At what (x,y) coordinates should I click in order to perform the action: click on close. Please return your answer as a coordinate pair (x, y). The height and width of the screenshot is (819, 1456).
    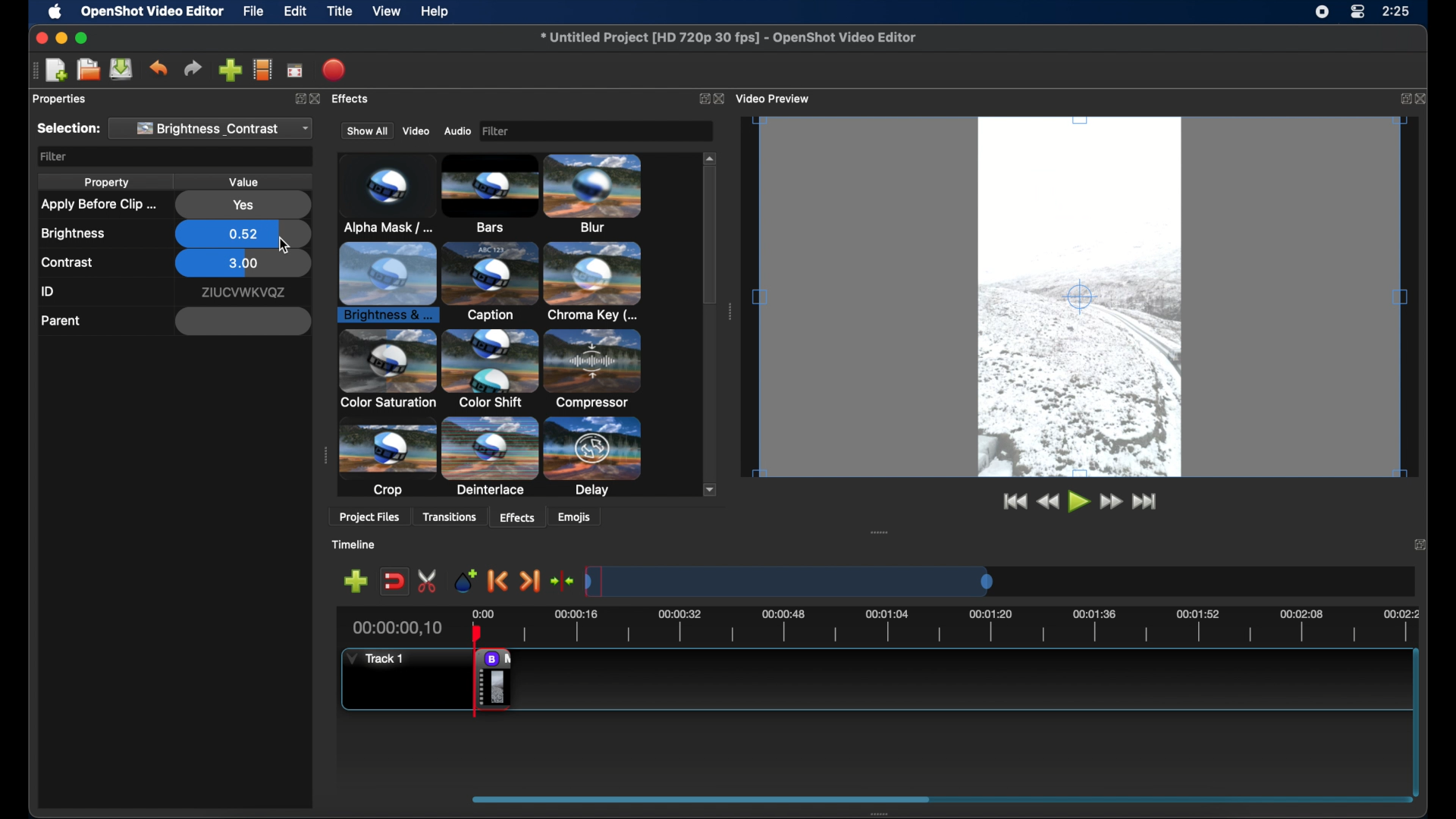
    Looking at the image, I should click on (1420, 543).